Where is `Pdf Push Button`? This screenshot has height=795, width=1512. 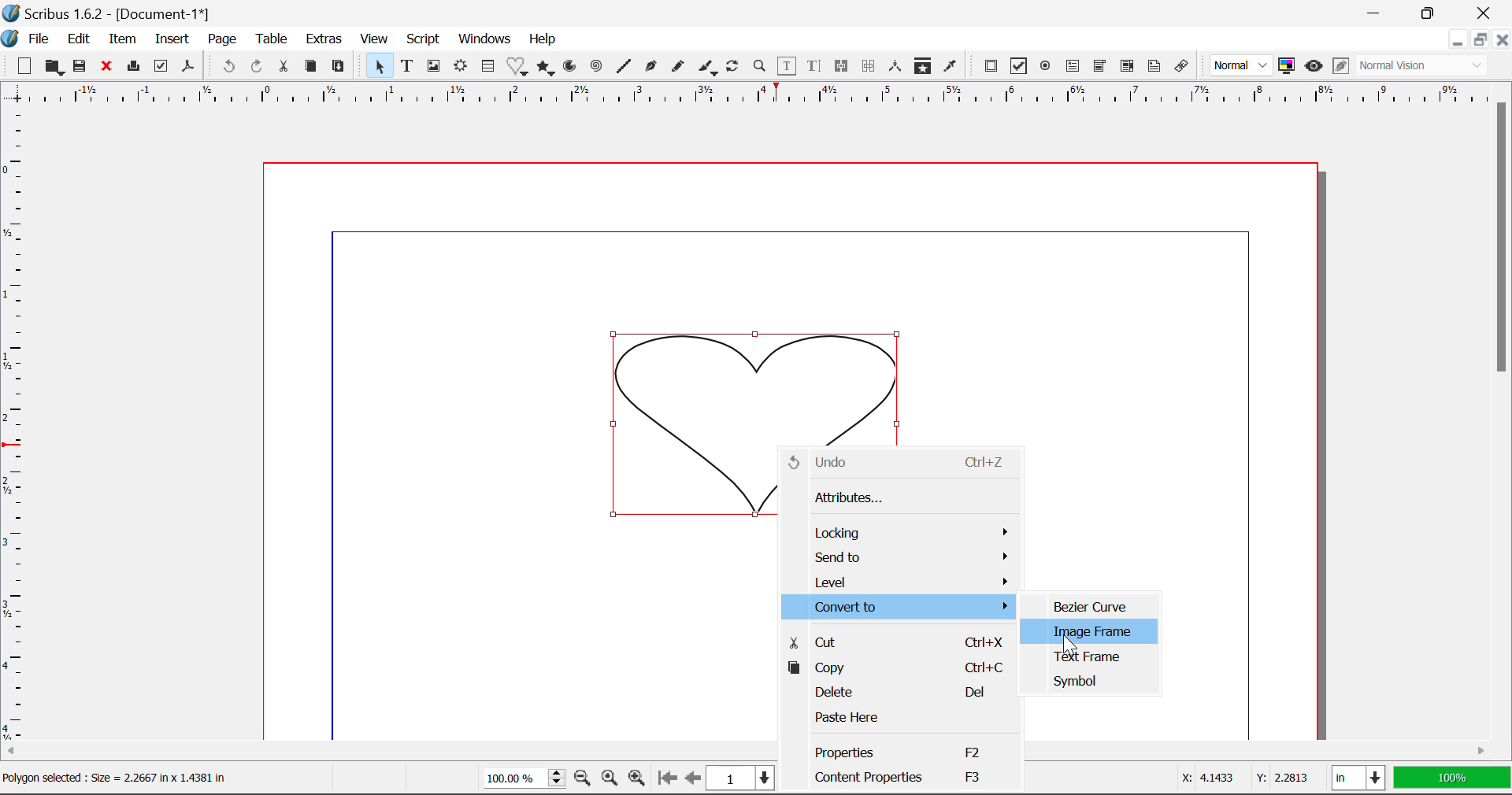 Pdf Push Button is located at coordinates (991, 66).